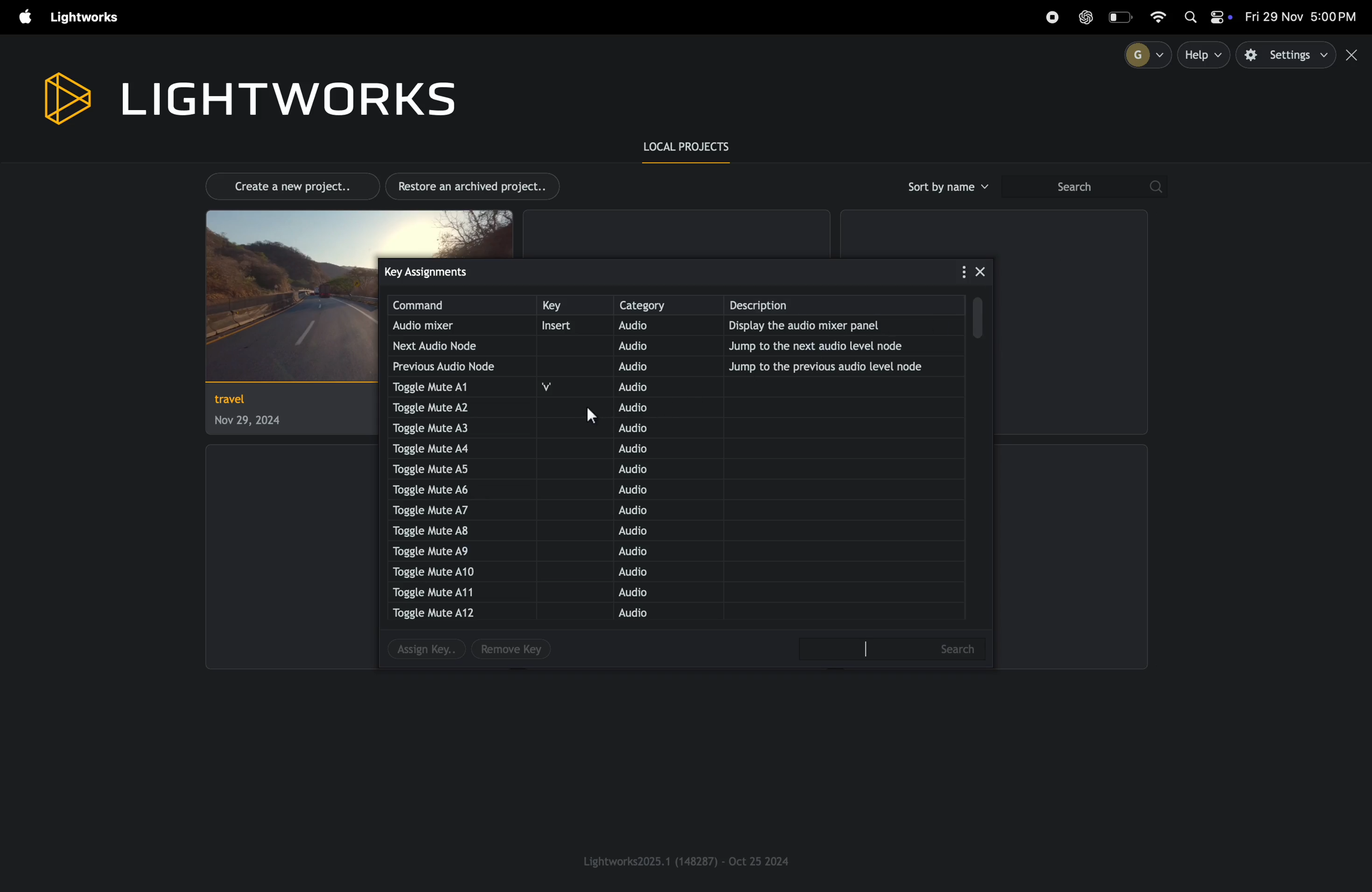 The image size is (1372, 892). What do you see at coordinates (458, 447) in the screenshot?
I see `toggle mute A4` at bounding box center [458, 447].